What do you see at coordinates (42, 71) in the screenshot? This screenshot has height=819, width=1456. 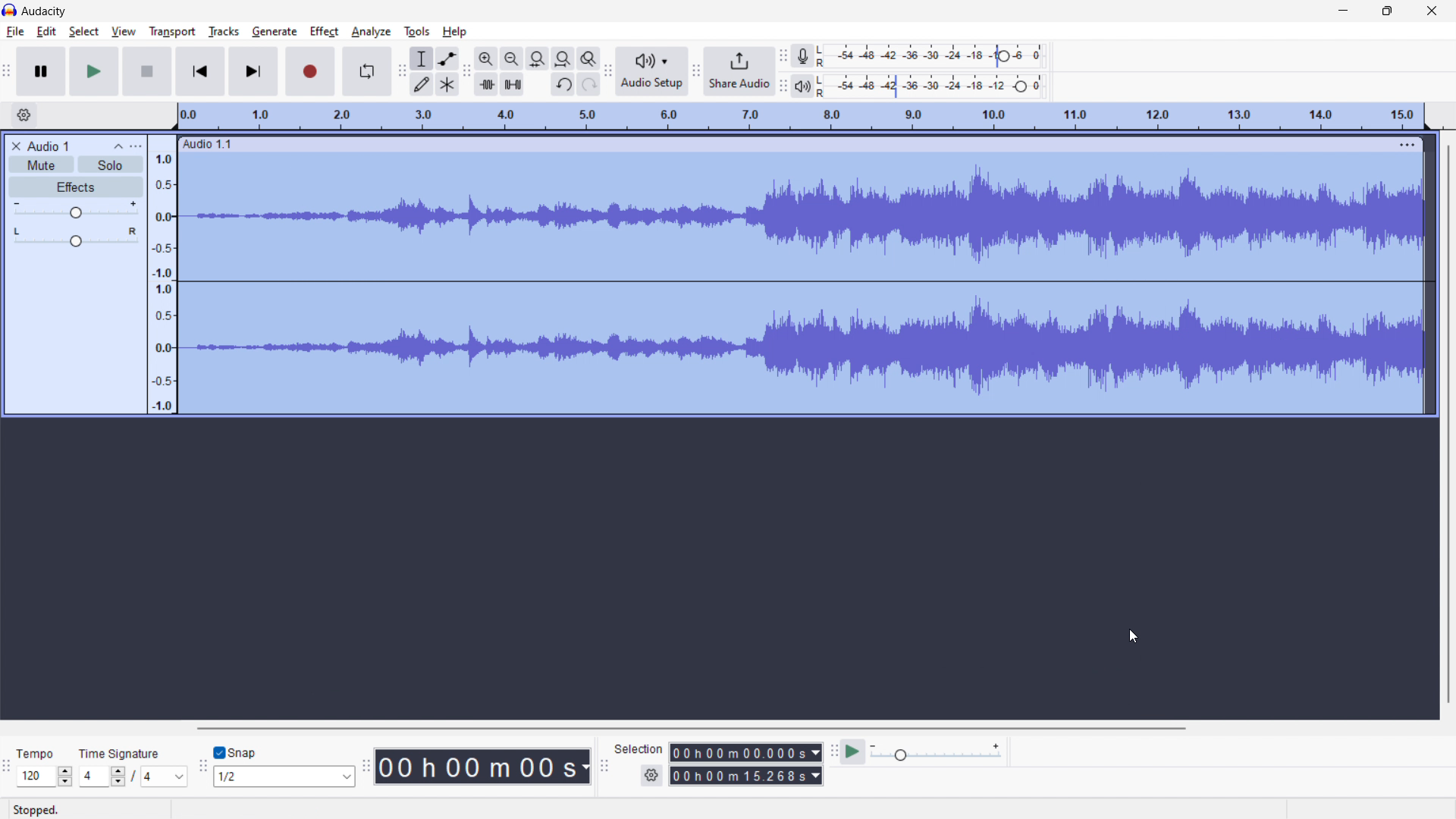 I see `pause` at bounding box center [42, 71].